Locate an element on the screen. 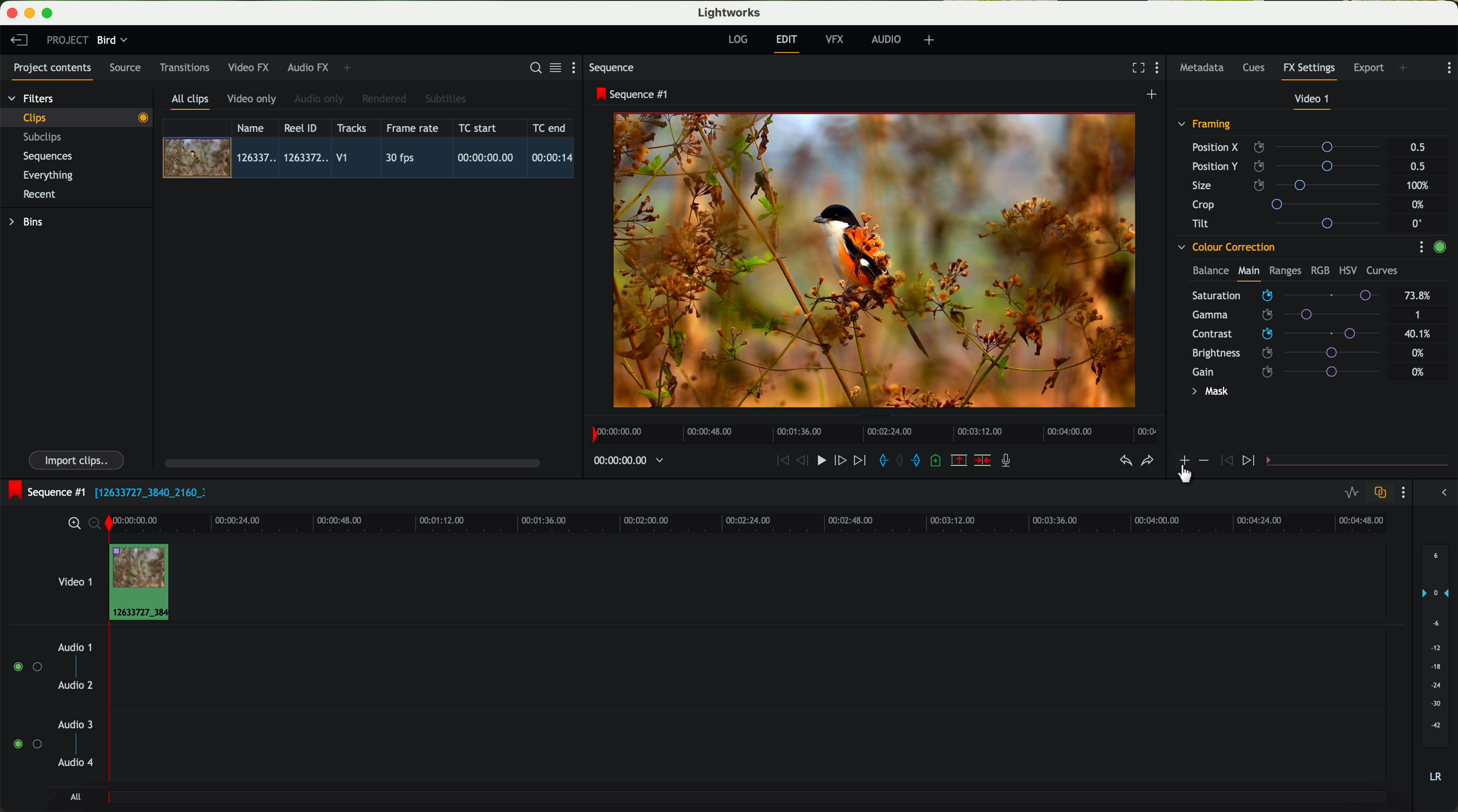 The width and height of the screenshot is (1458, 812). import clips is located at coordinates (78, 459).